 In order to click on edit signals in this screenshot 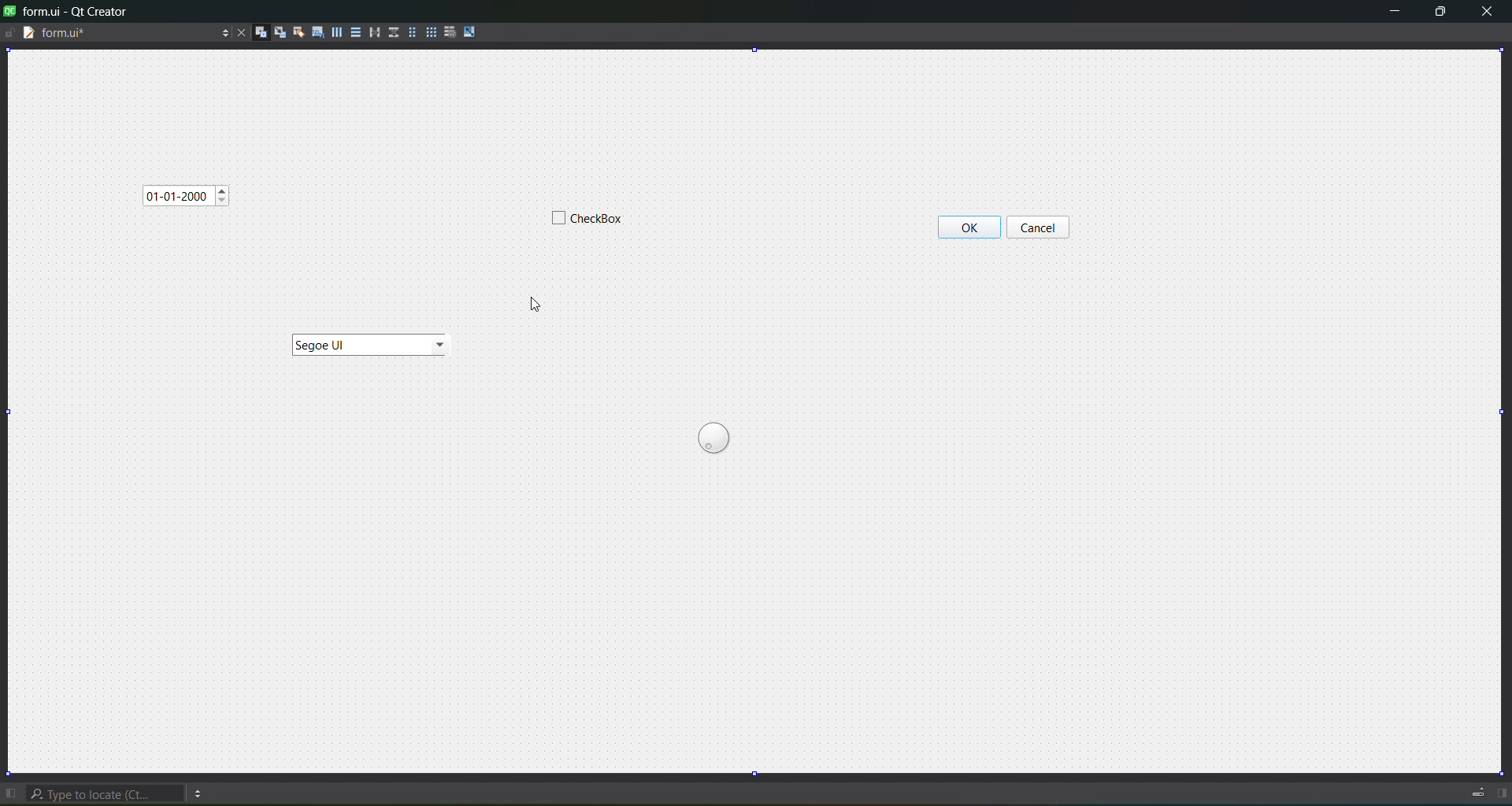, I will do `click(277, 31)`.